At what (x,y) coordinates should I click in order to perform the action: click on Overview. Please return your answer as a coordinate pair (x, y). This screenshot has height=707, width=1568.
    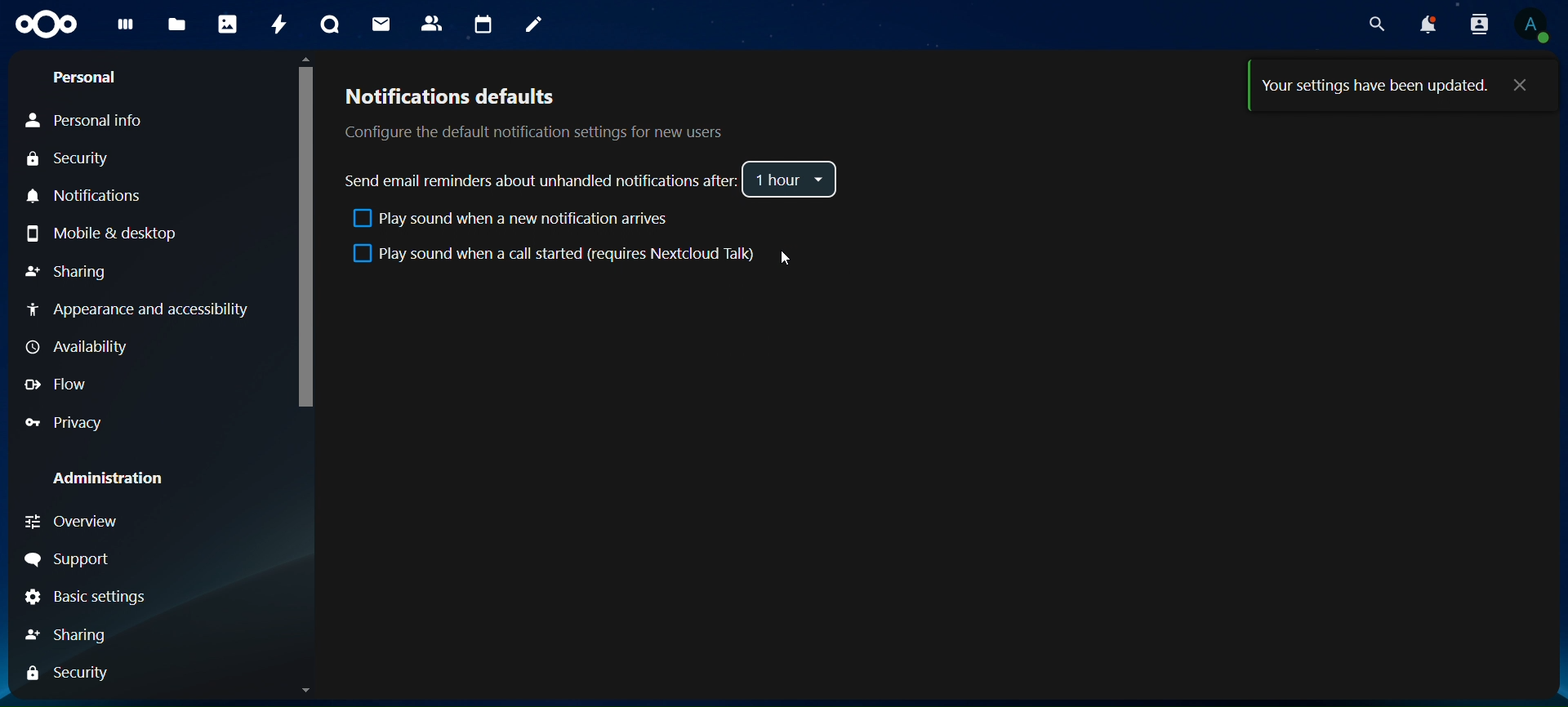
    Looking at the image, I should click on (70, 522).